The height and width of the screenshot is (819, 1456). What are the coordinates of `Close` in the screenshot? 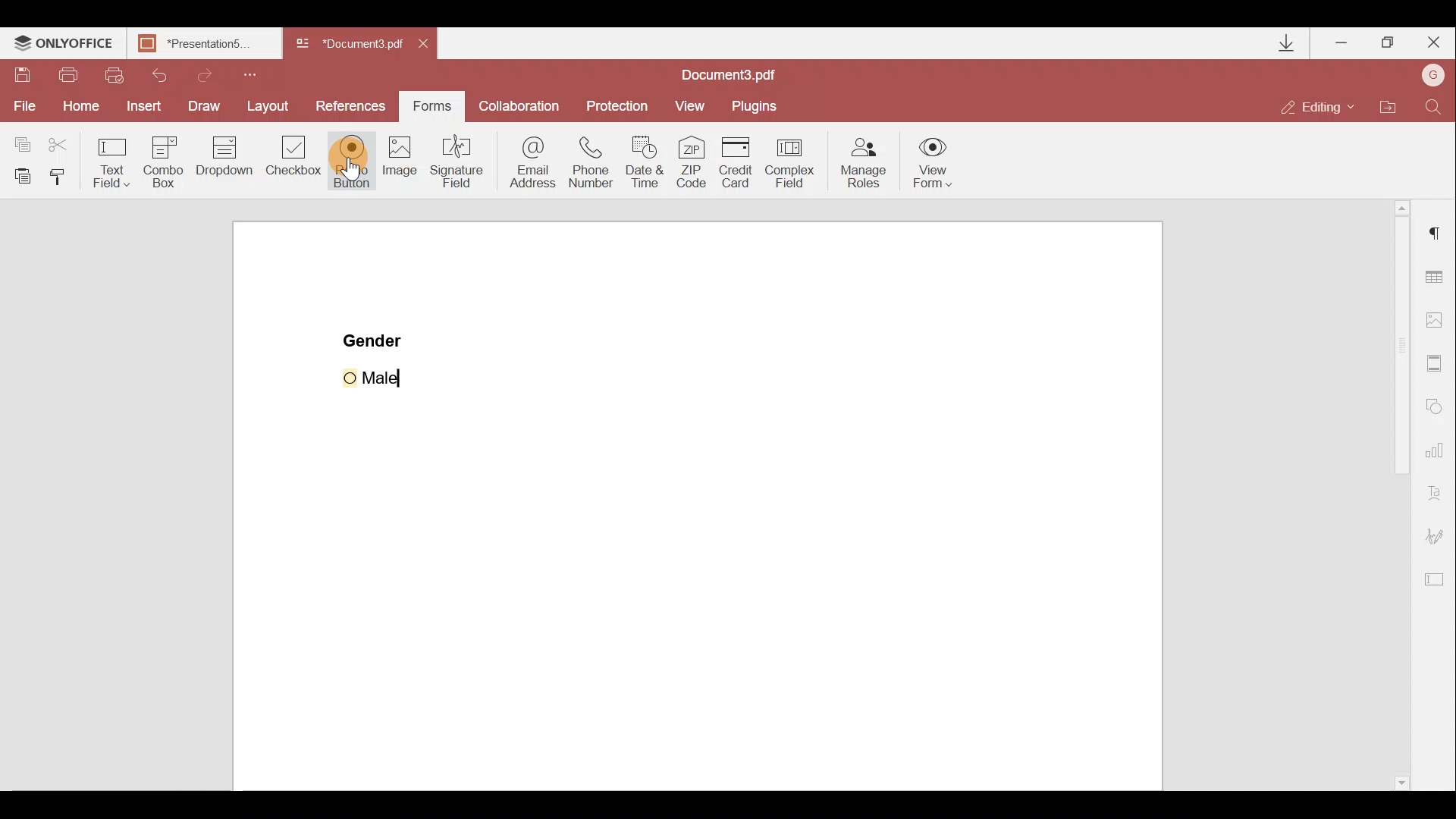 It's located at (1434, 43).